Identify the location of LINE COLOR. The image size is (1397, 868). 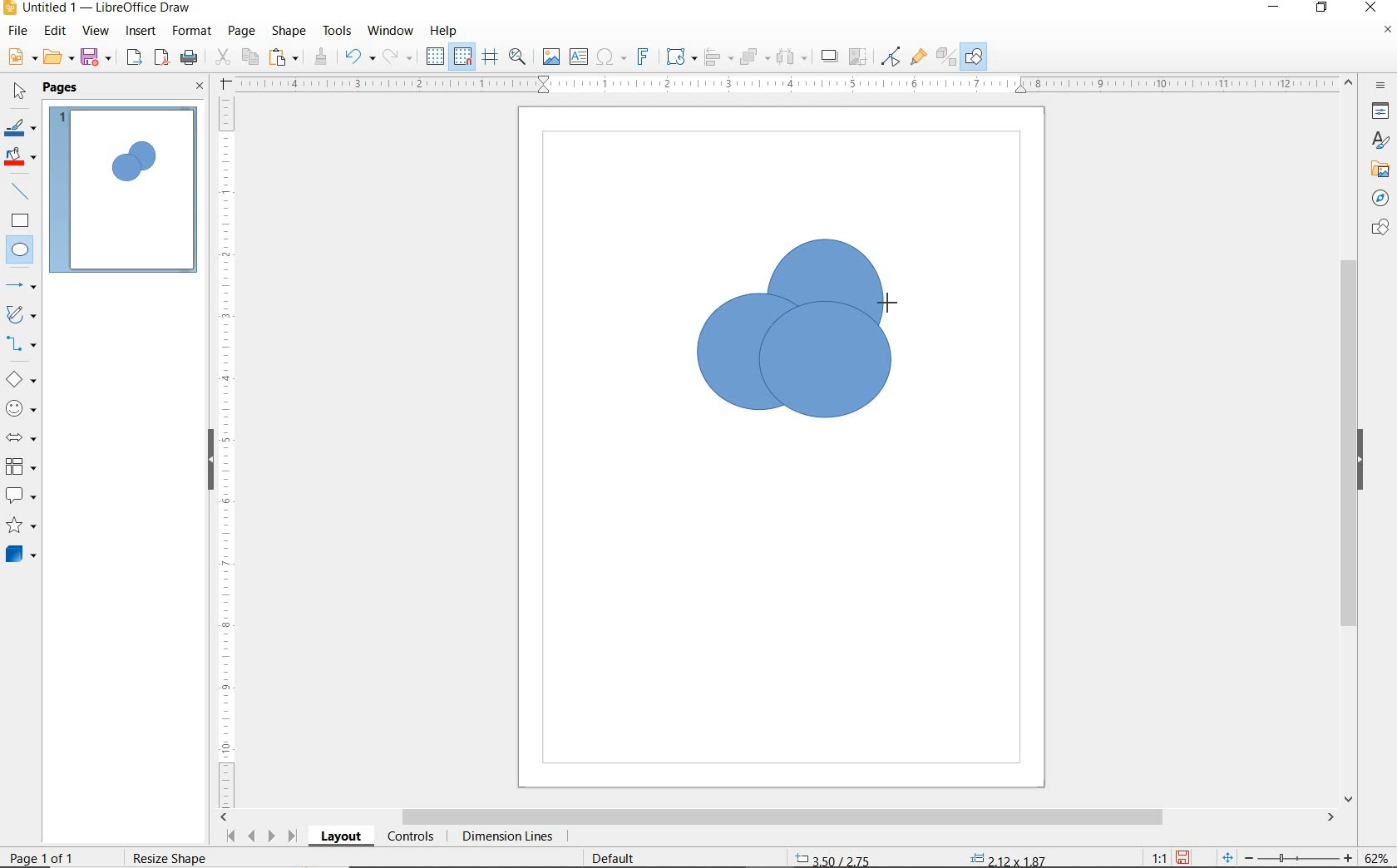
(20, 127).